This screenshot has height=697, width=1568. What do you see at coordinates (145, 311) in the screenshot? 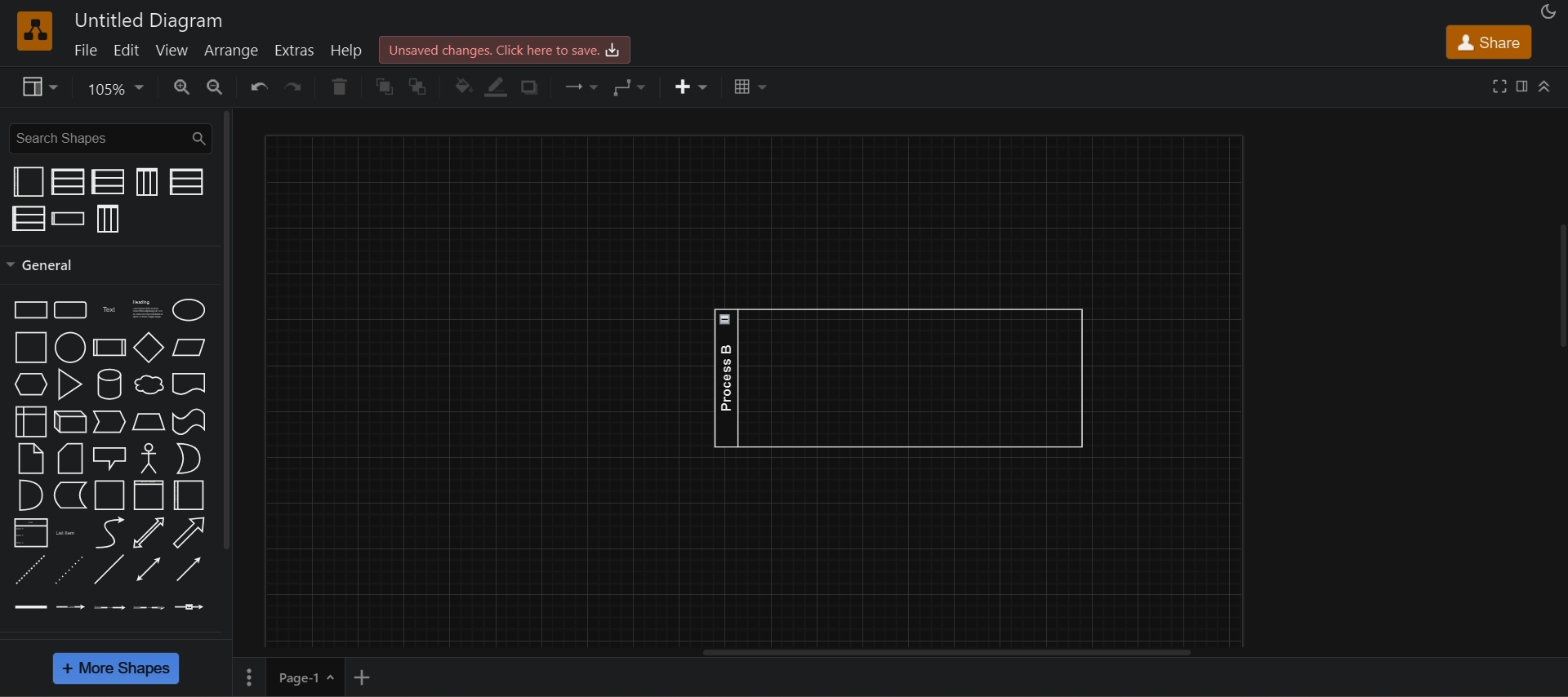
I see `heading text box` at bounding box center [145, 311].